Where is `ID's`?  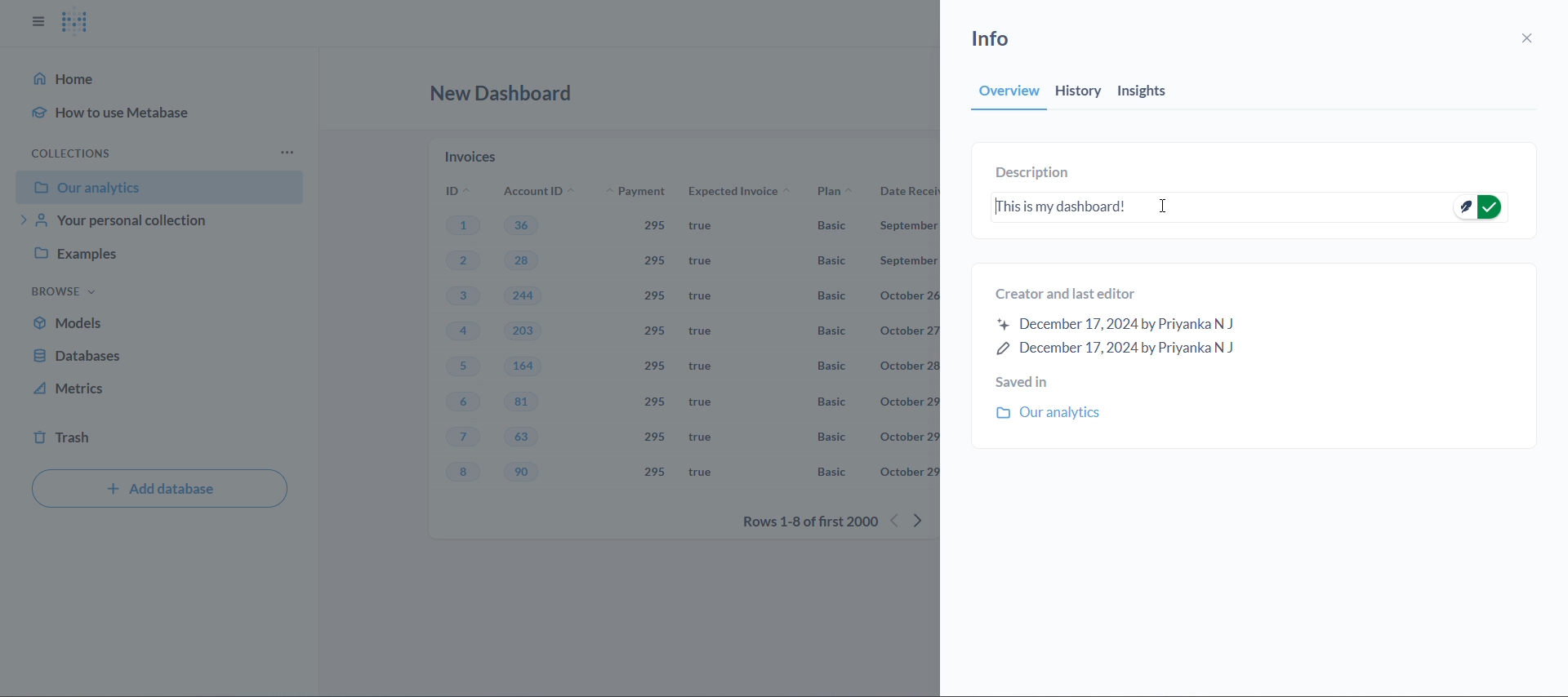
ID's is located at coordinates (451, 191).